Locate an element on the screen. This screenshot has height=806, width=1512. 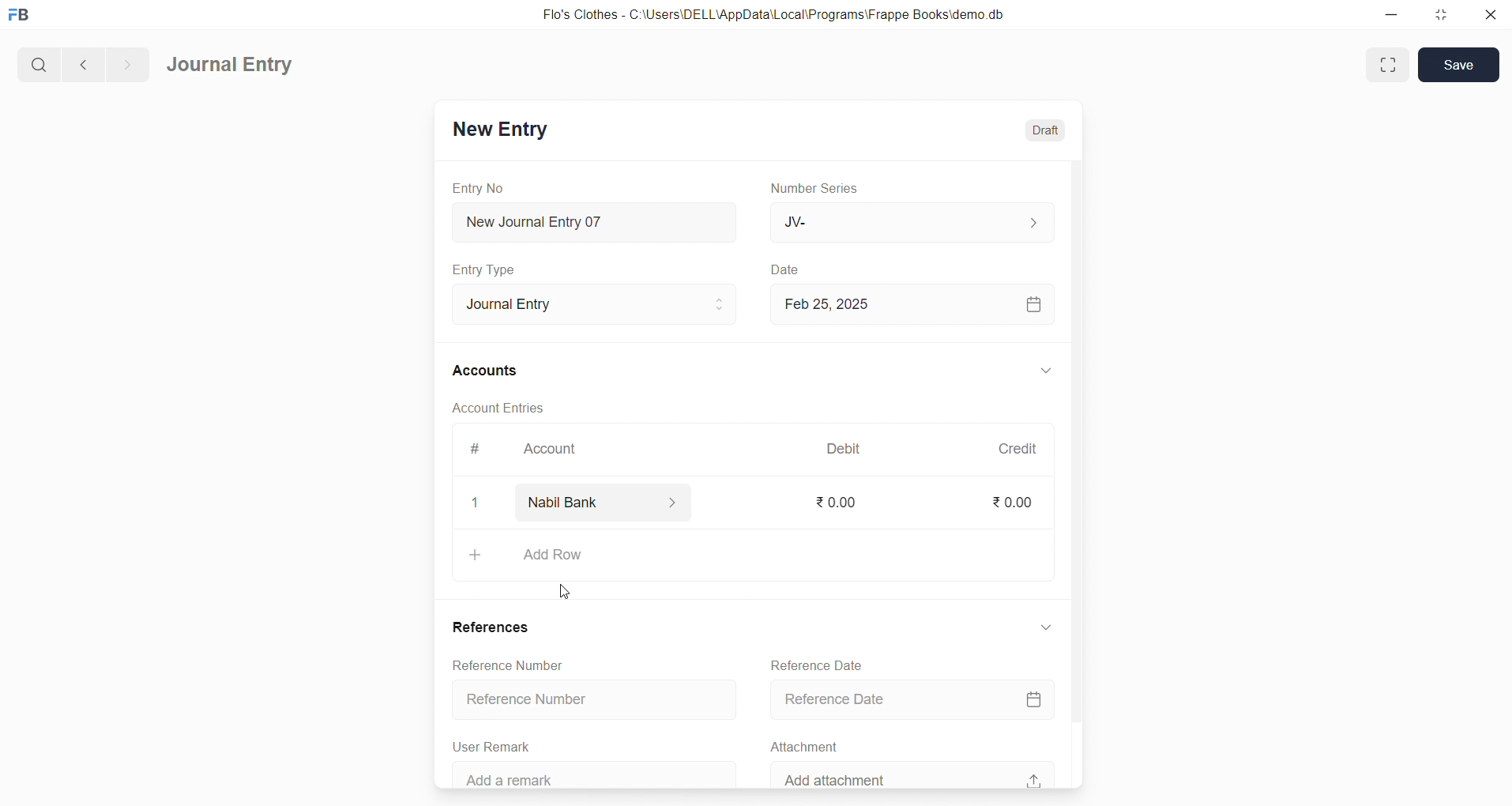
Accounts is located at coordinates (486, 372).